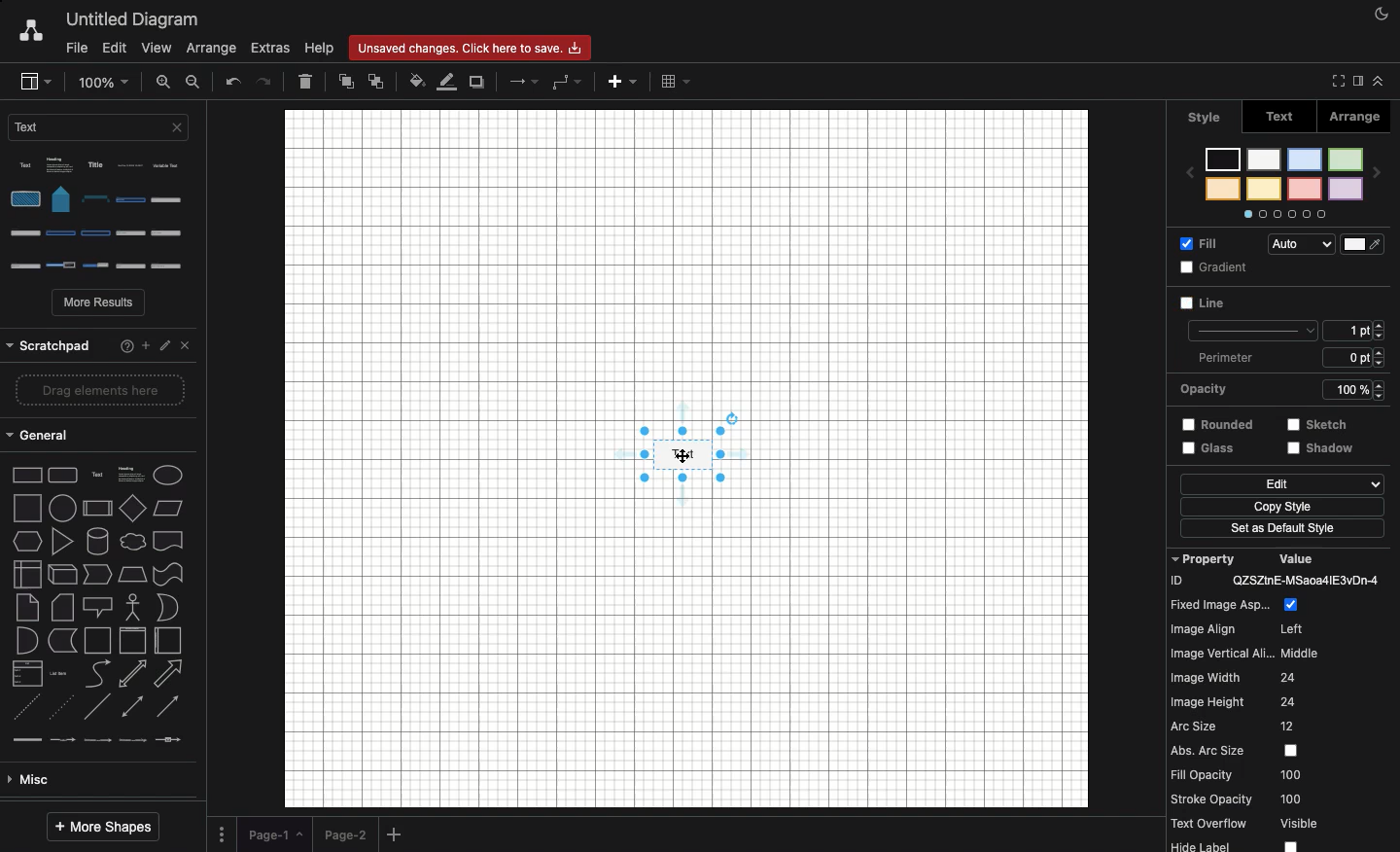 Image resolution: width=1400 pixels, height=852 pixels. What do you see at coordinates (63, 780) in the screenshot?
I see `Entity relation` at bounding box center [63, 780].